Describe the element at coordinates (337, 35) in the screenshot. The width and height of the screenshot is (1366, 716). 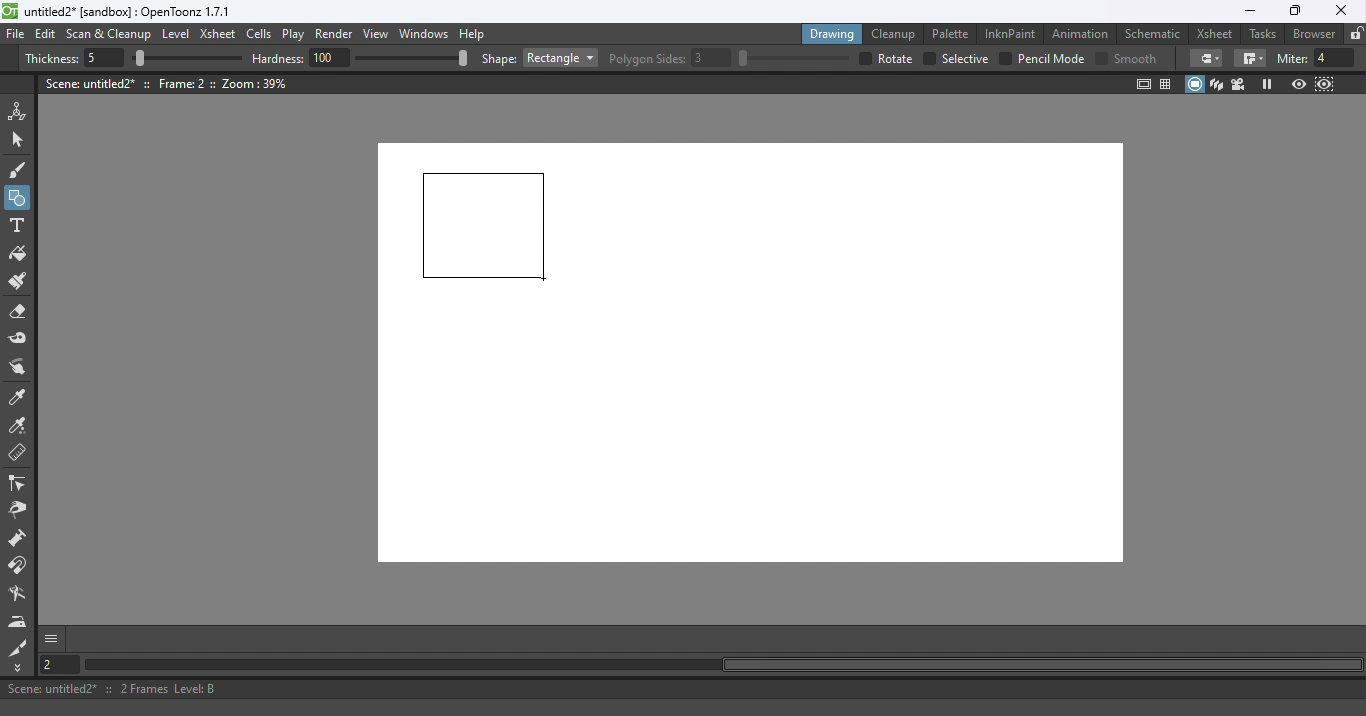
I see `Render` at that location.